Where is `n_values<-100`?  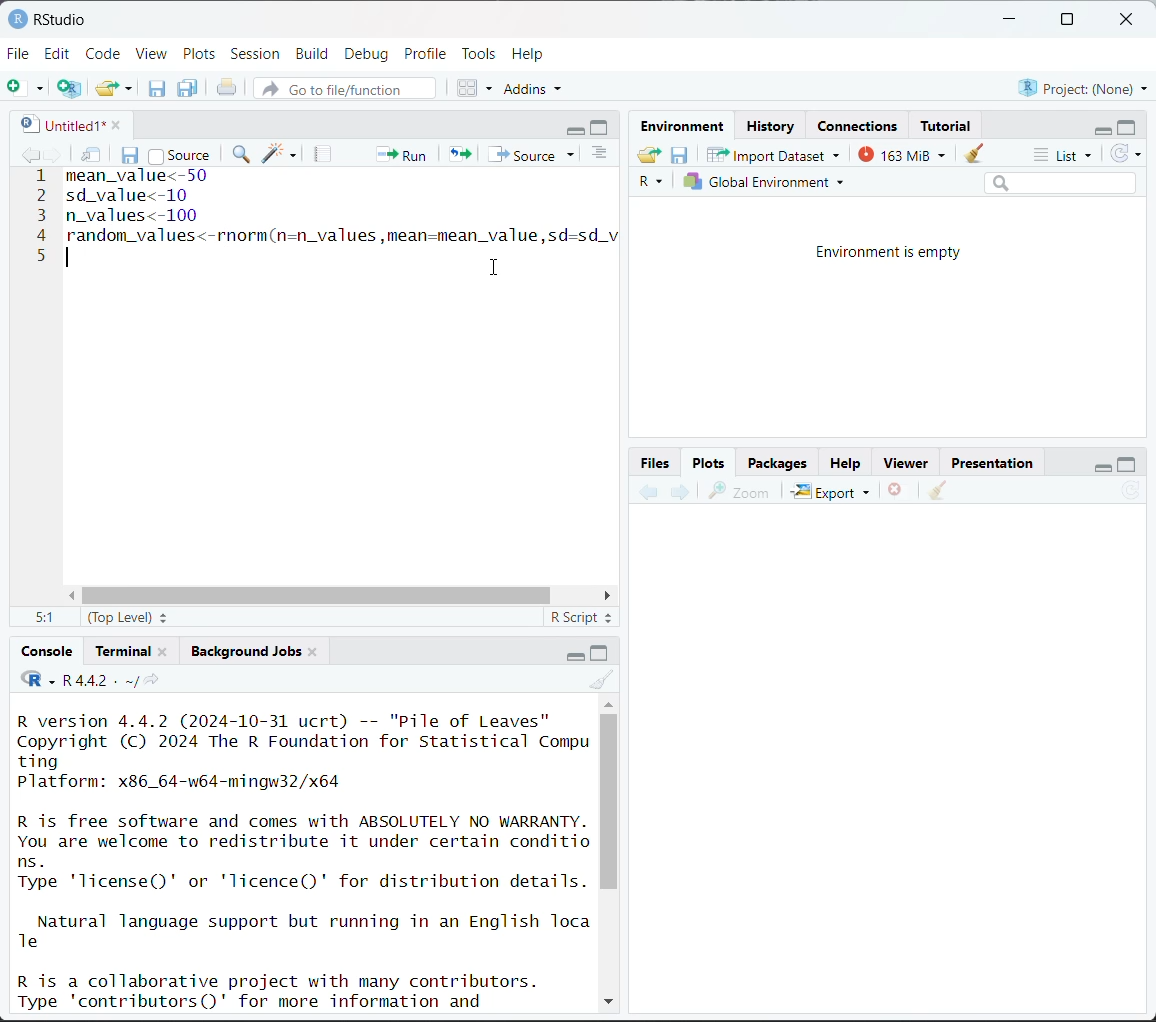
n_values<-100 is located at coordinates (134, 215).